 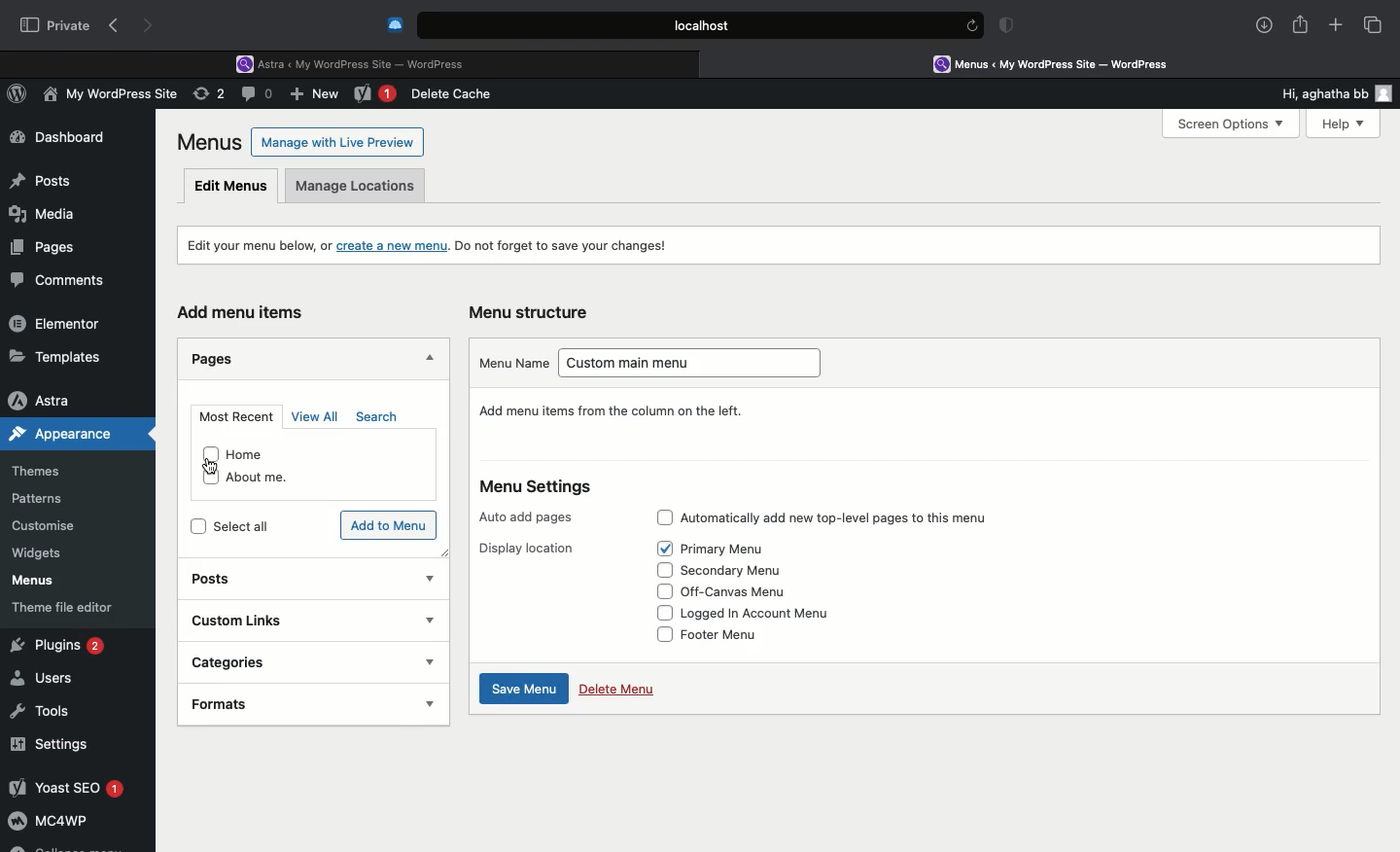 I want to click on show, so click(x=429, y=662).